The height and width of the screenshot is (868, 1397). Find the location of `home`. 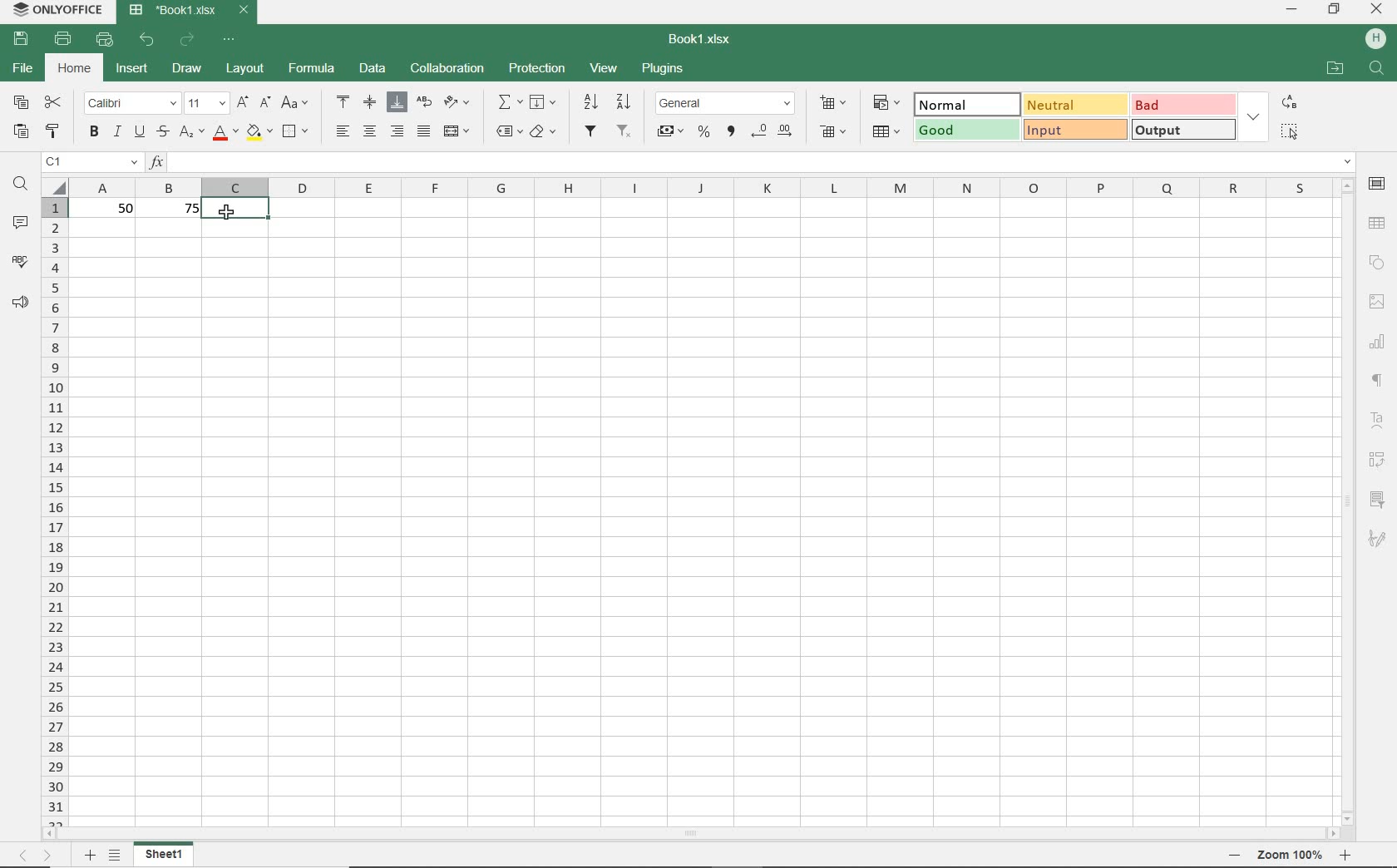

home is located at coordinates (77, 71).